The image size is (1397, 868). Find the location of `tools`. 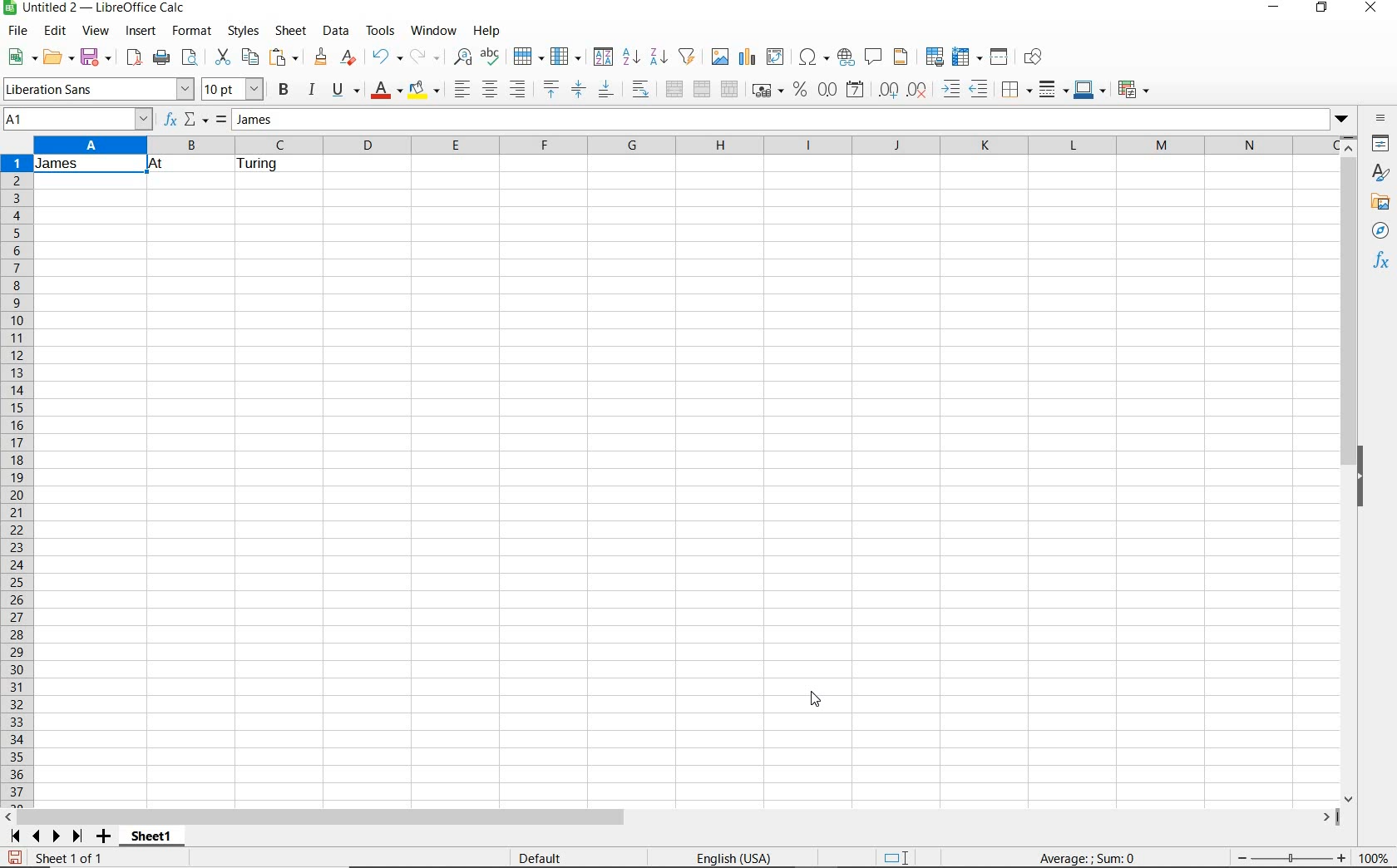

tools is located at coordinates (381, 30).